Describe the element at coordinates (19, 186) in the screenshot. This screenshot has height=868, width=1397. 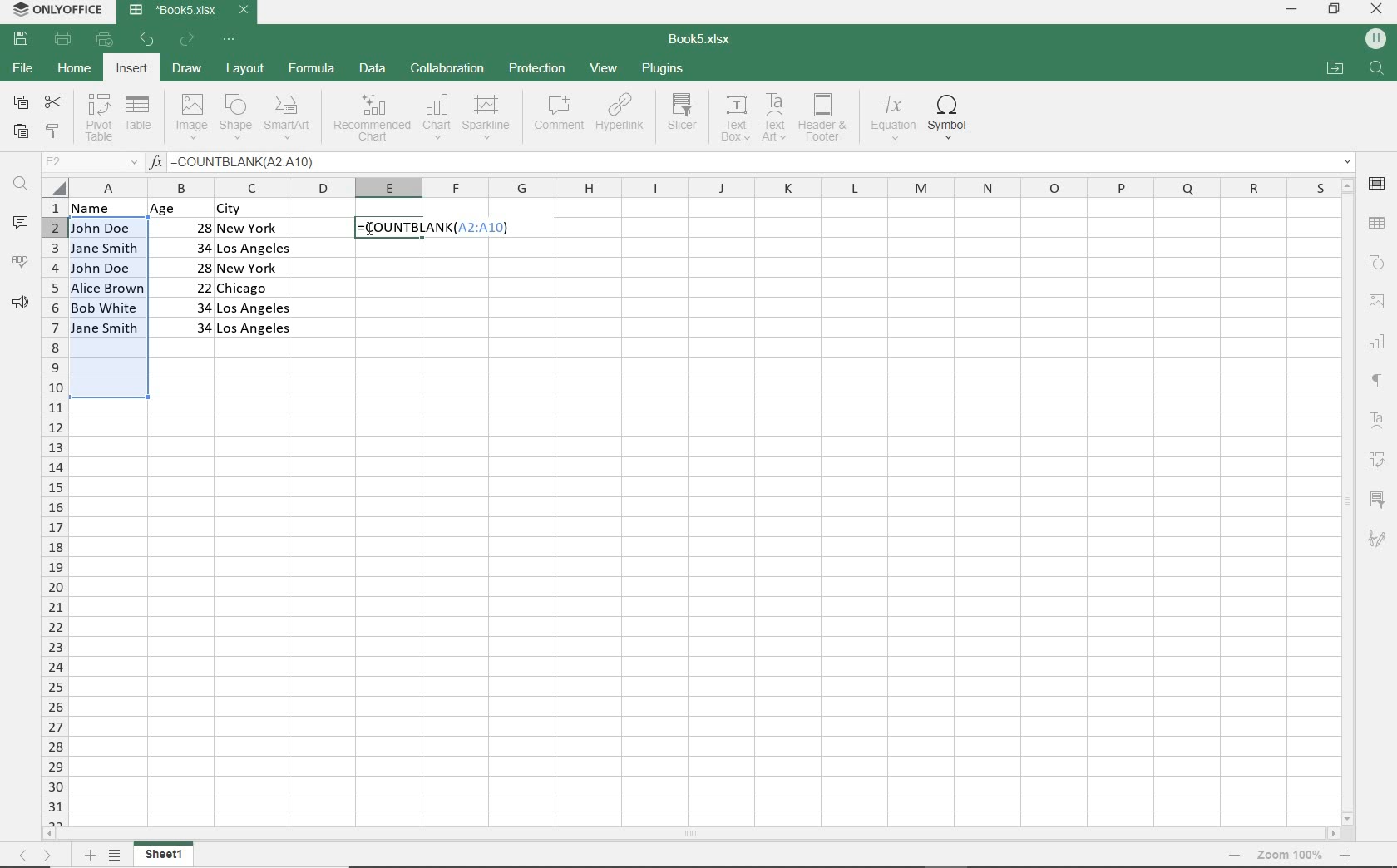
I see `FIND` at that location.